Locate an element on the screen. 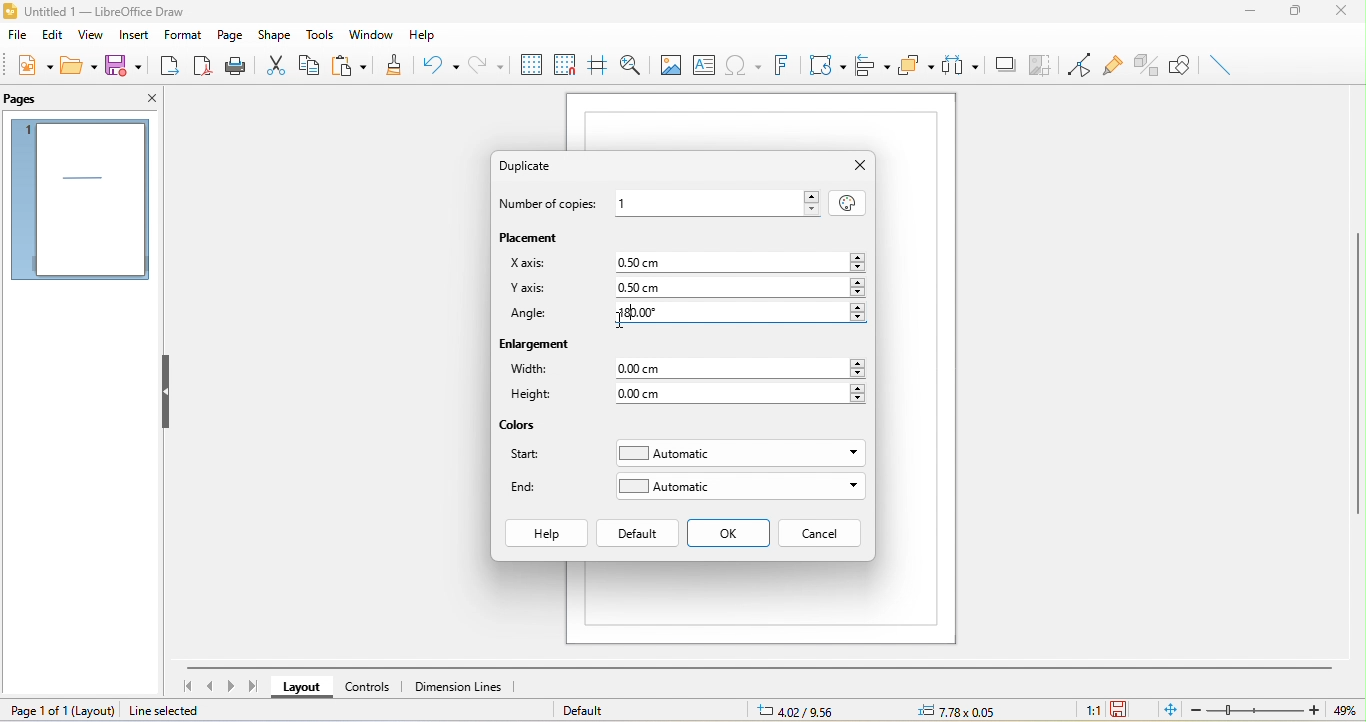  toggle extrusion is located at coordinates (1146, 65).